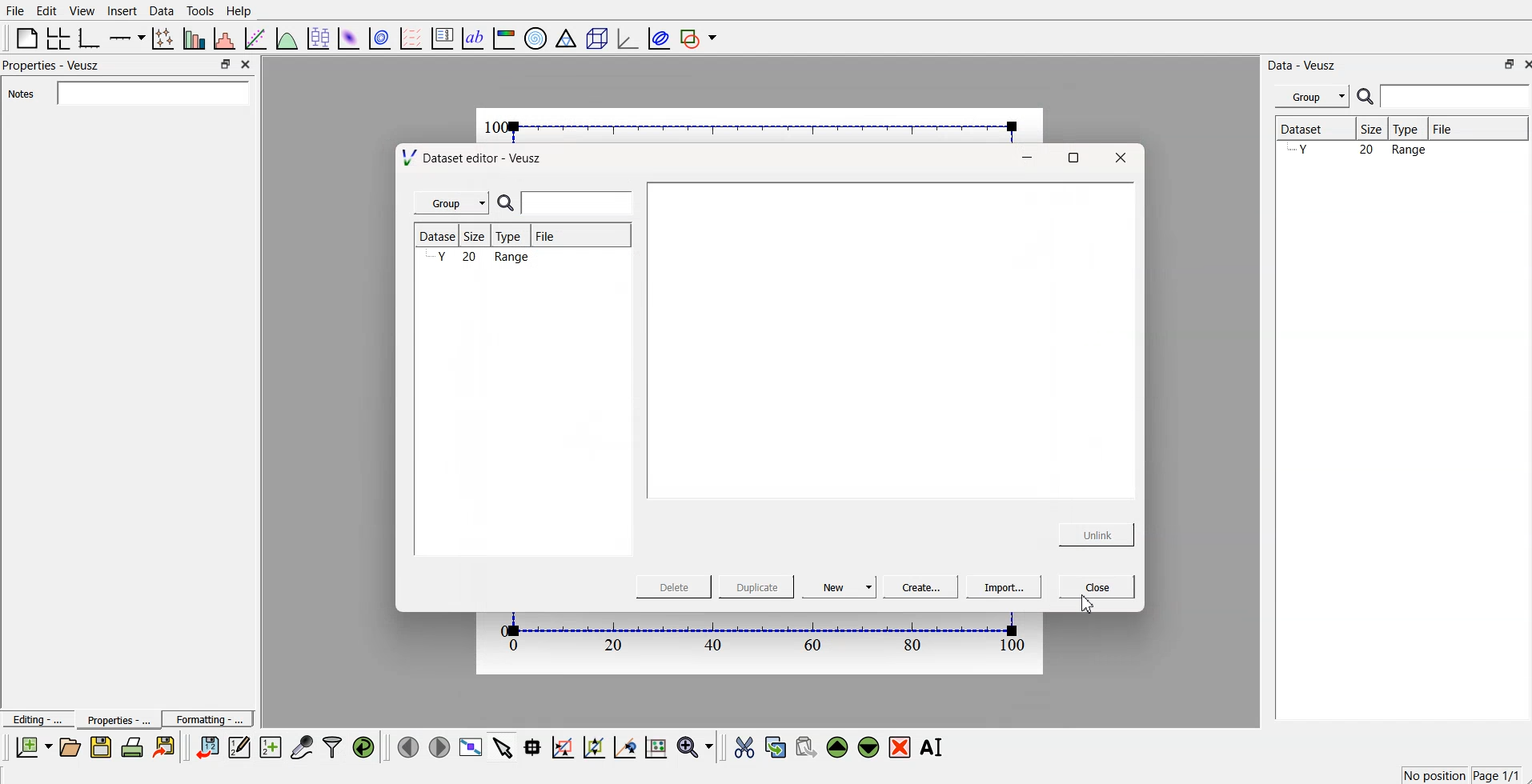  Describe the element at coordinates (596, 746) in the screenshot. I see `click to zoom` at that location.